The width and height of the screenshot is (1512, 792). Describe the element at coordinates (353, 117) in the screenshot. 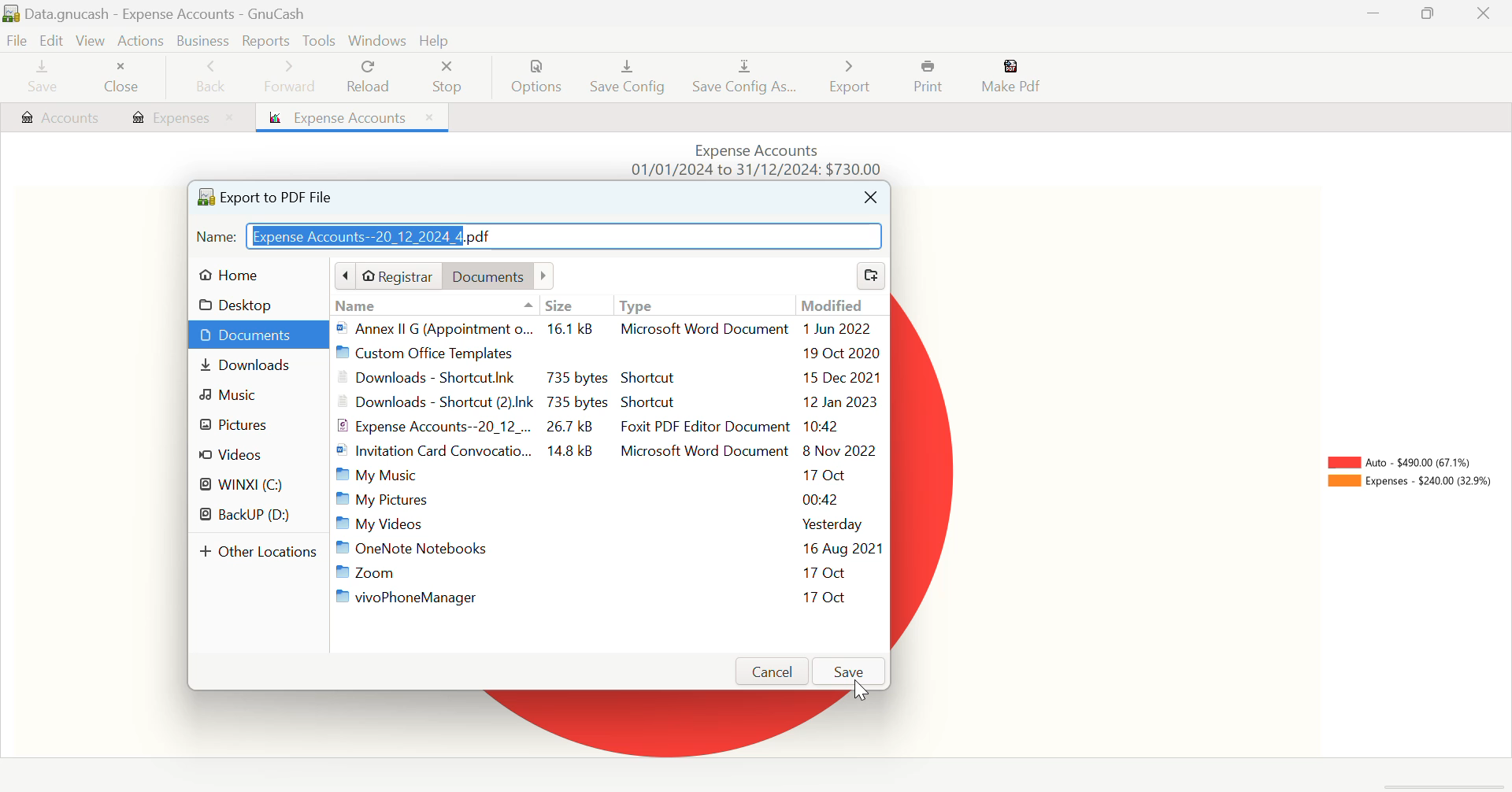

I see `Expense Accounts Piechart Tab` at that location.